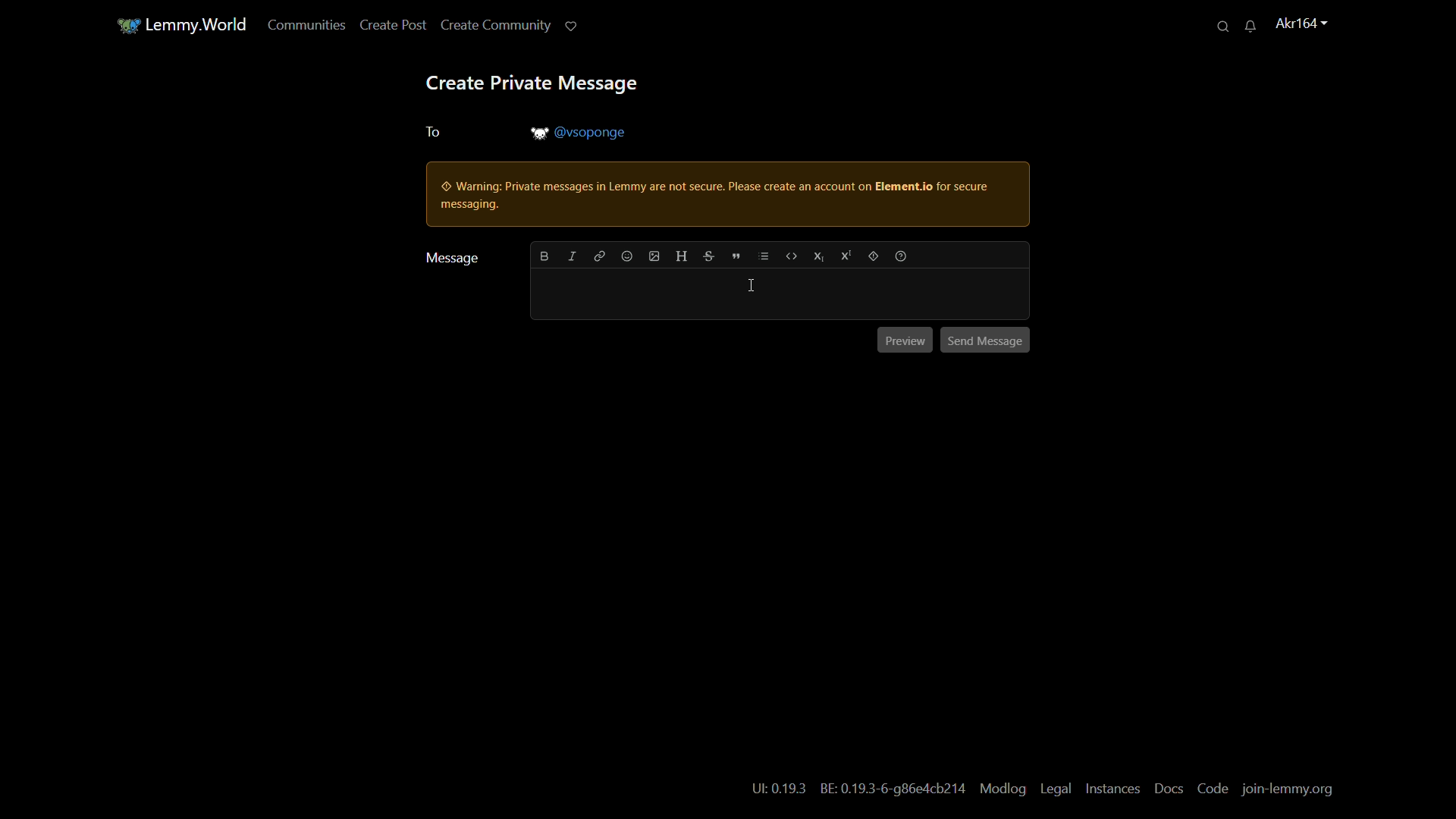 The width and height of the screenshot is (1456, 819). What do you see at coordinates (817, 255) in the screenshot?
I see `subscript` at bounding box center [817, 255].